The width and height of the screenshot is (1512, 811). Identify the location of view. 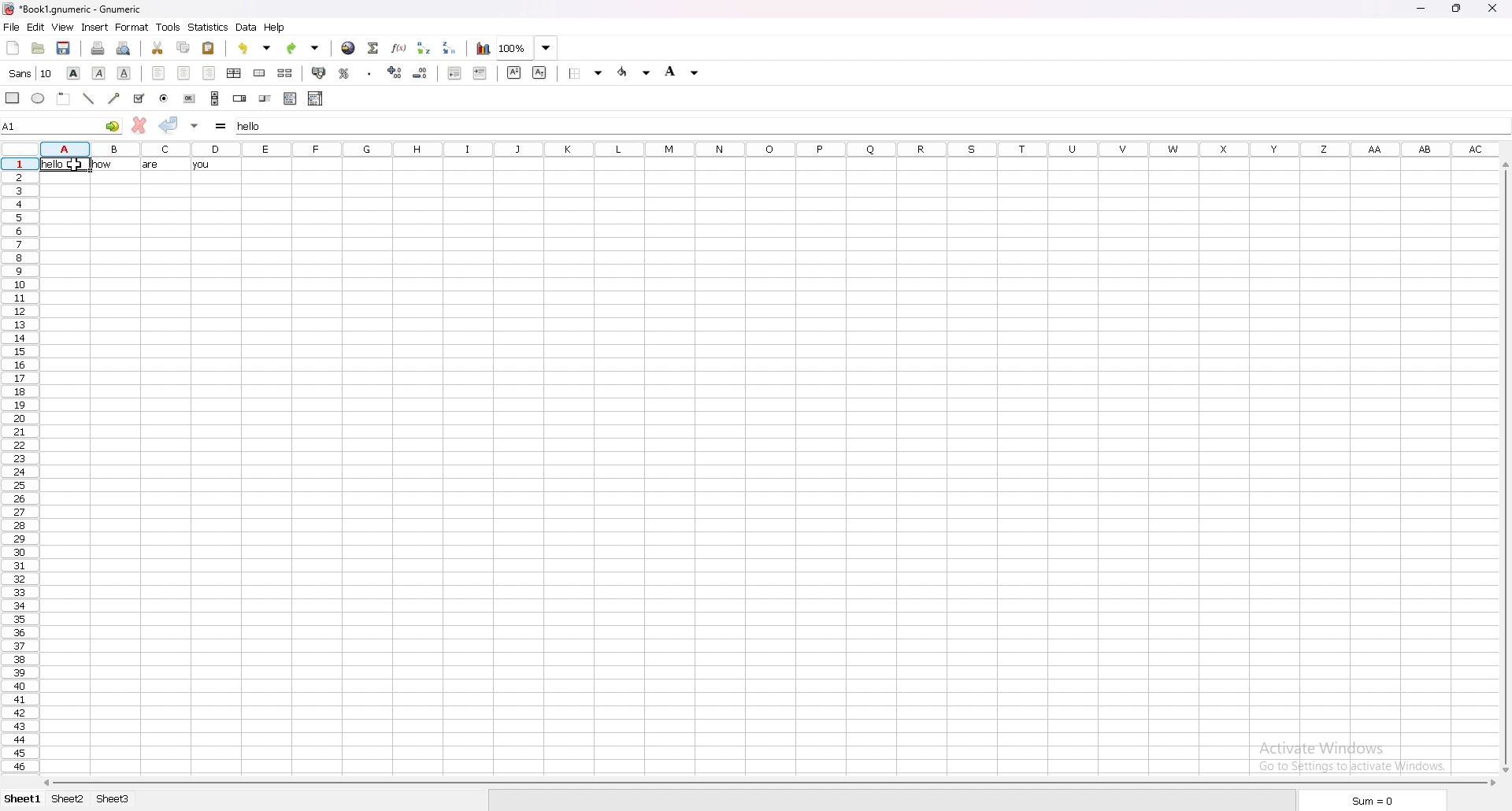
(63, 28).